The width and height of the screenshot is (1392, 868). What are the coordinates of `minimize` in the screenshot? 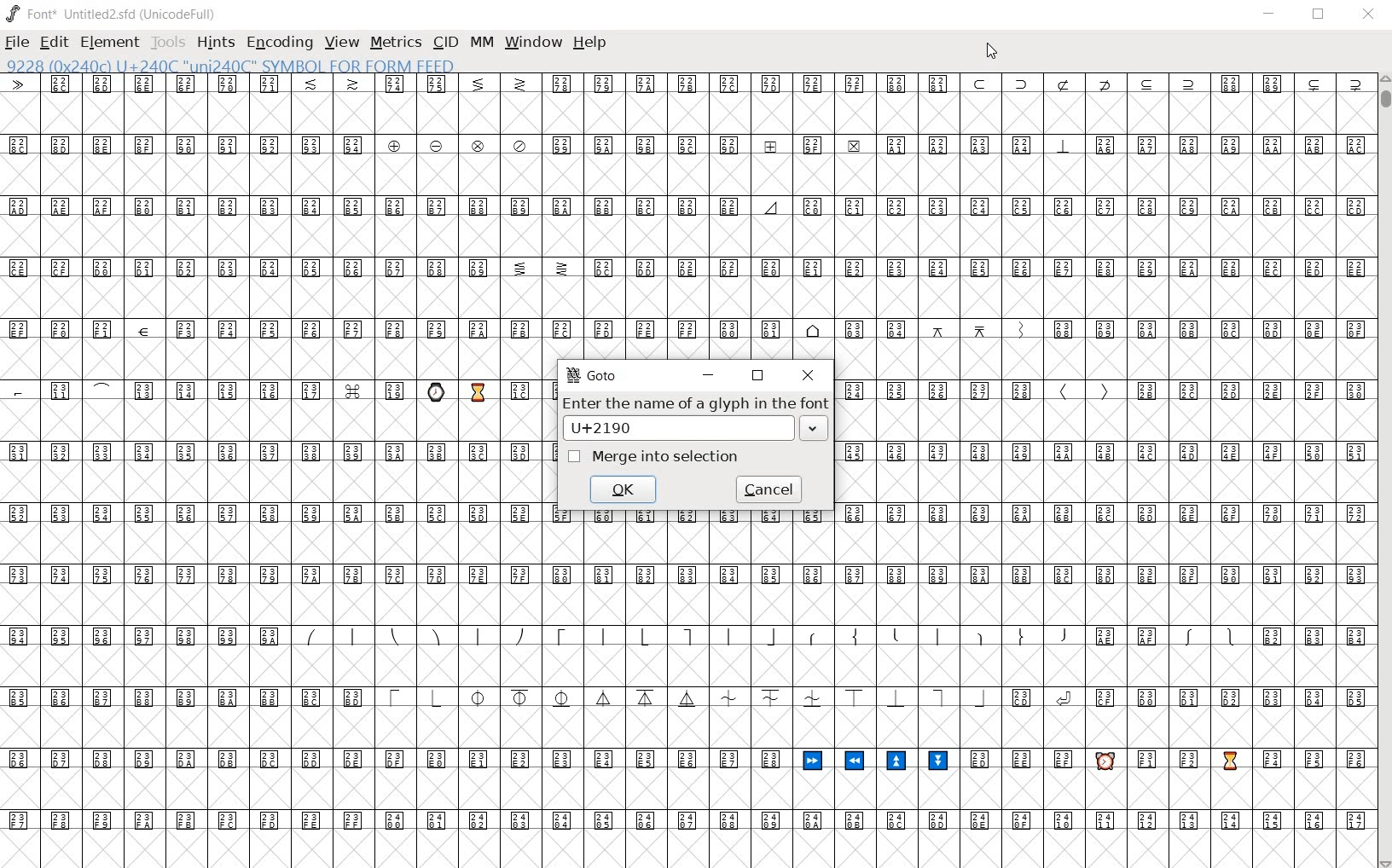 It's located at (709, 377).